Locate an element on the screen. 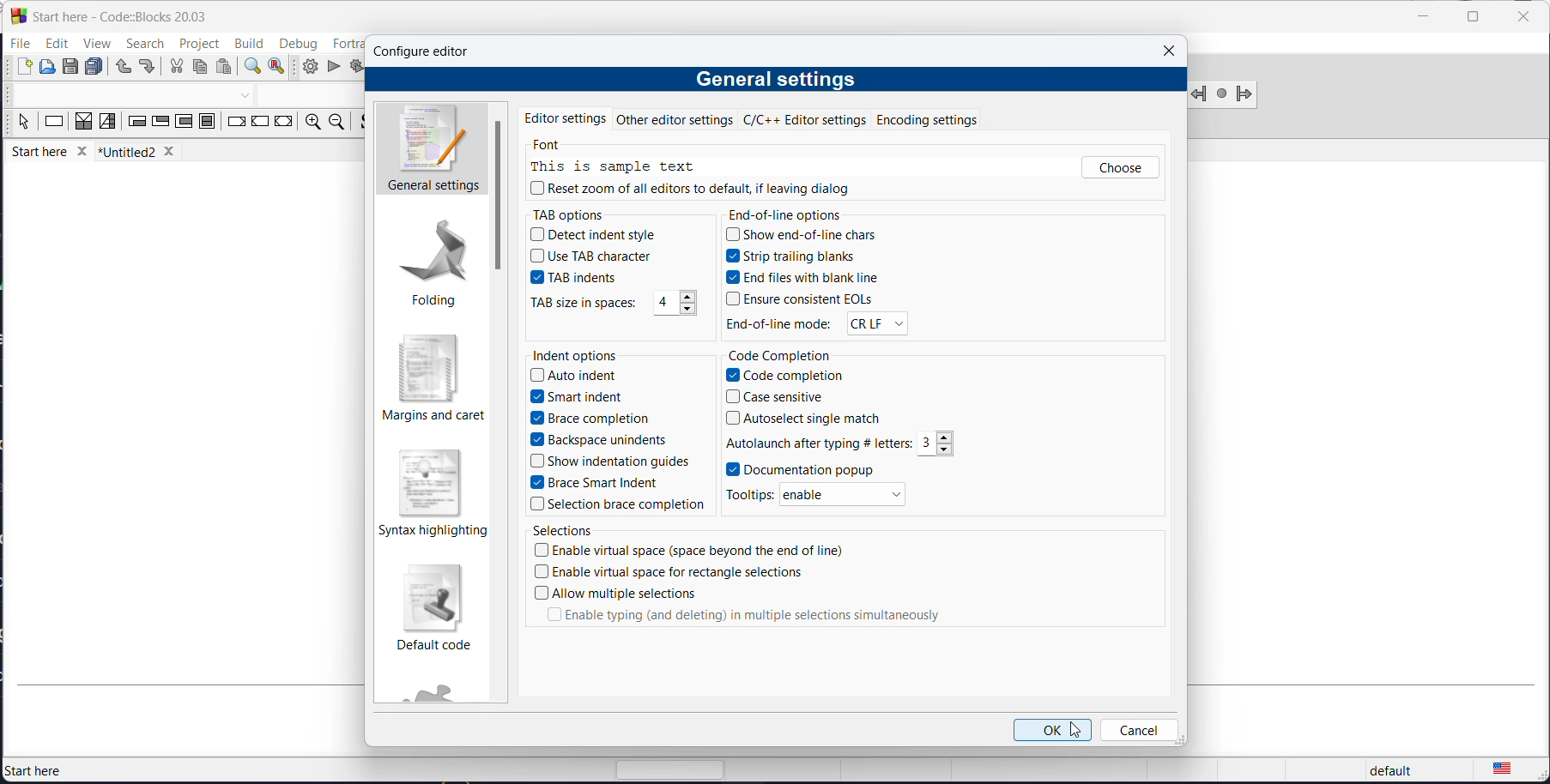  dropdown is located at coordinates (245, 97).